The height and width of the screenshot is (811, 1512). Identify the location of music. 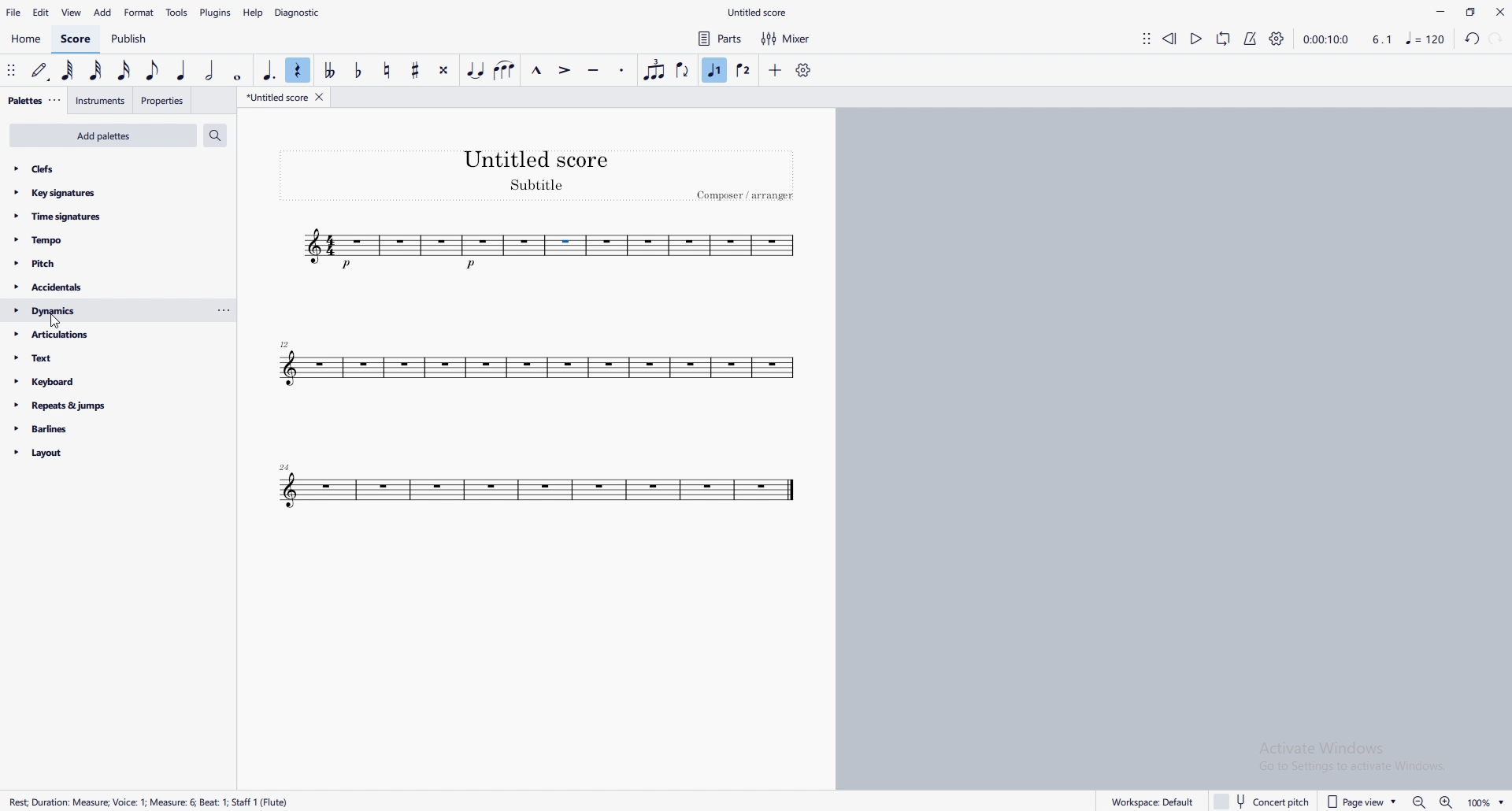
(1427, 38).